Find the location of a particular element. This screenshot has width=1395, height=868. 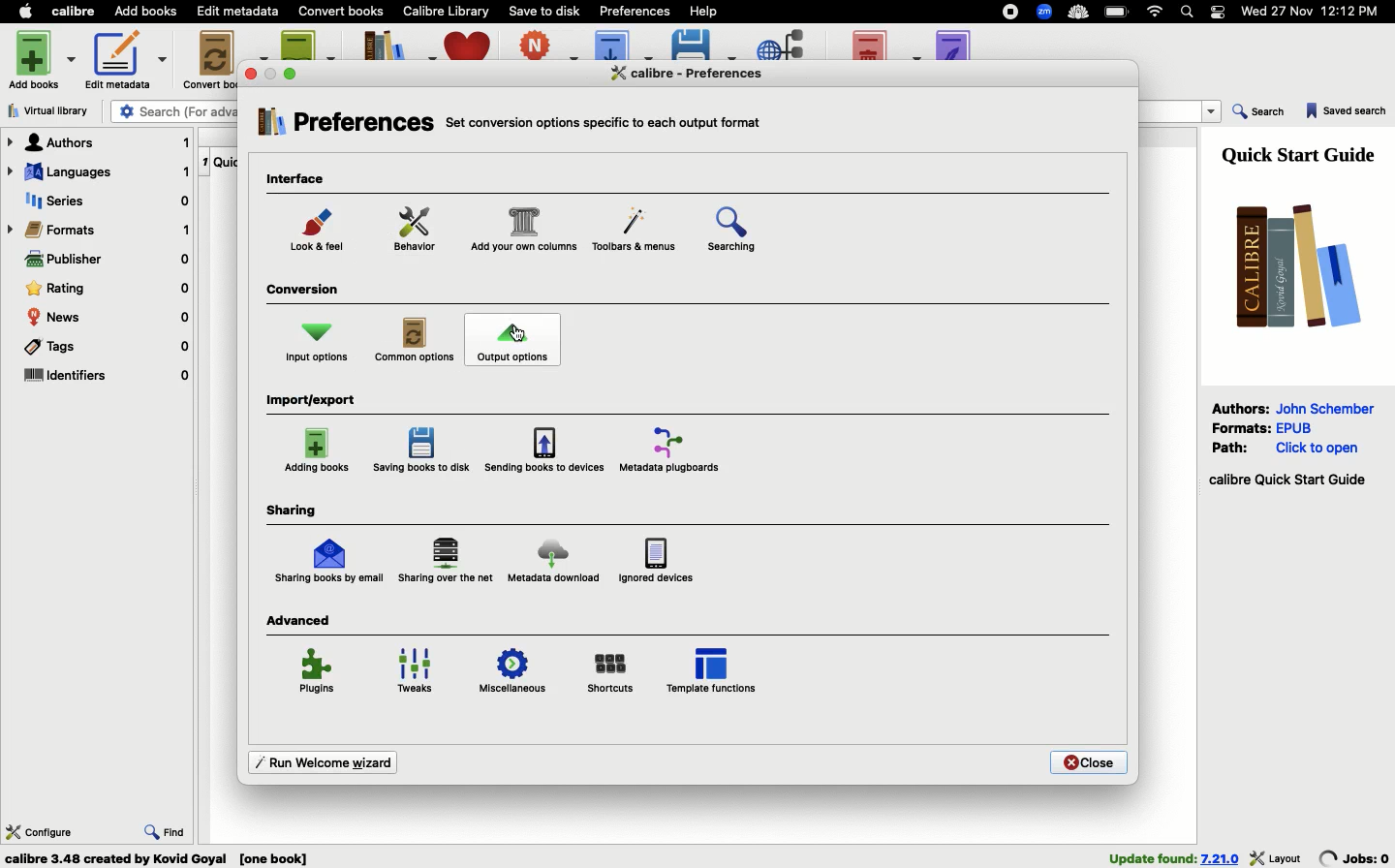

Saved search is located at coordinates (1347, 112).